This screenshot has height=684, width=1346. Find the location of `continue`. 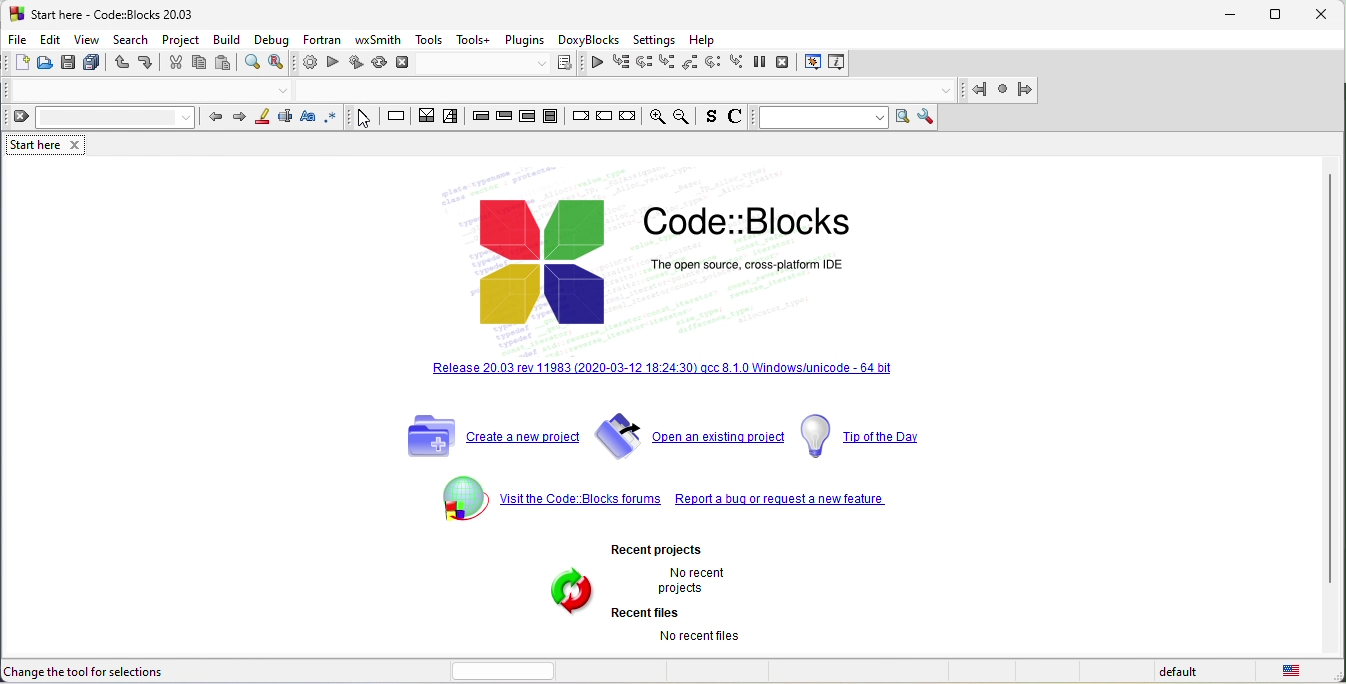

continue is located at coordinates (604, 117).